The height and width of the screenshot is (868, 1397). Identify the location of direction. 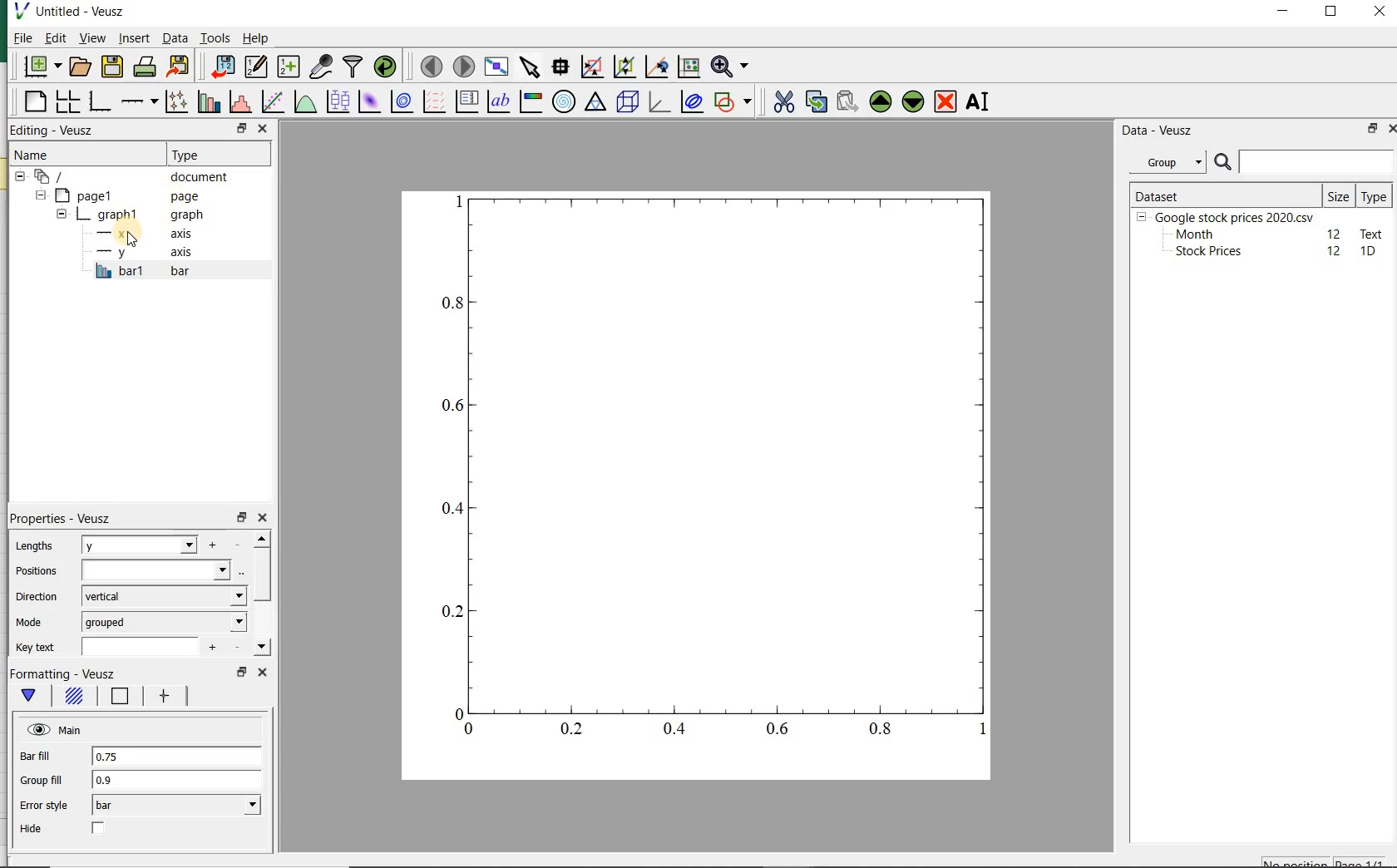
(34, 595).